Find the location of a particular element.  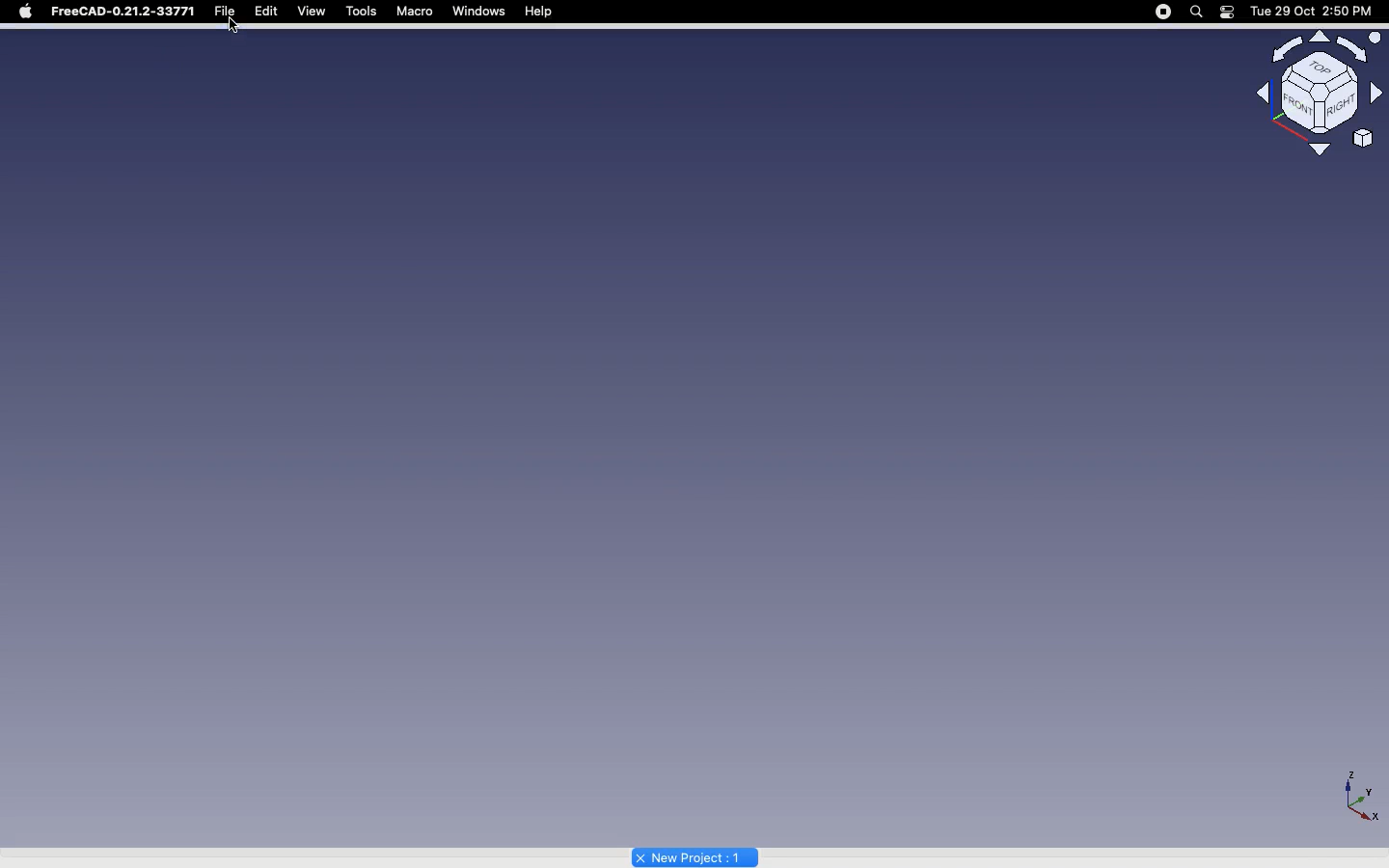

Edit is located at coordinates (271, 11).